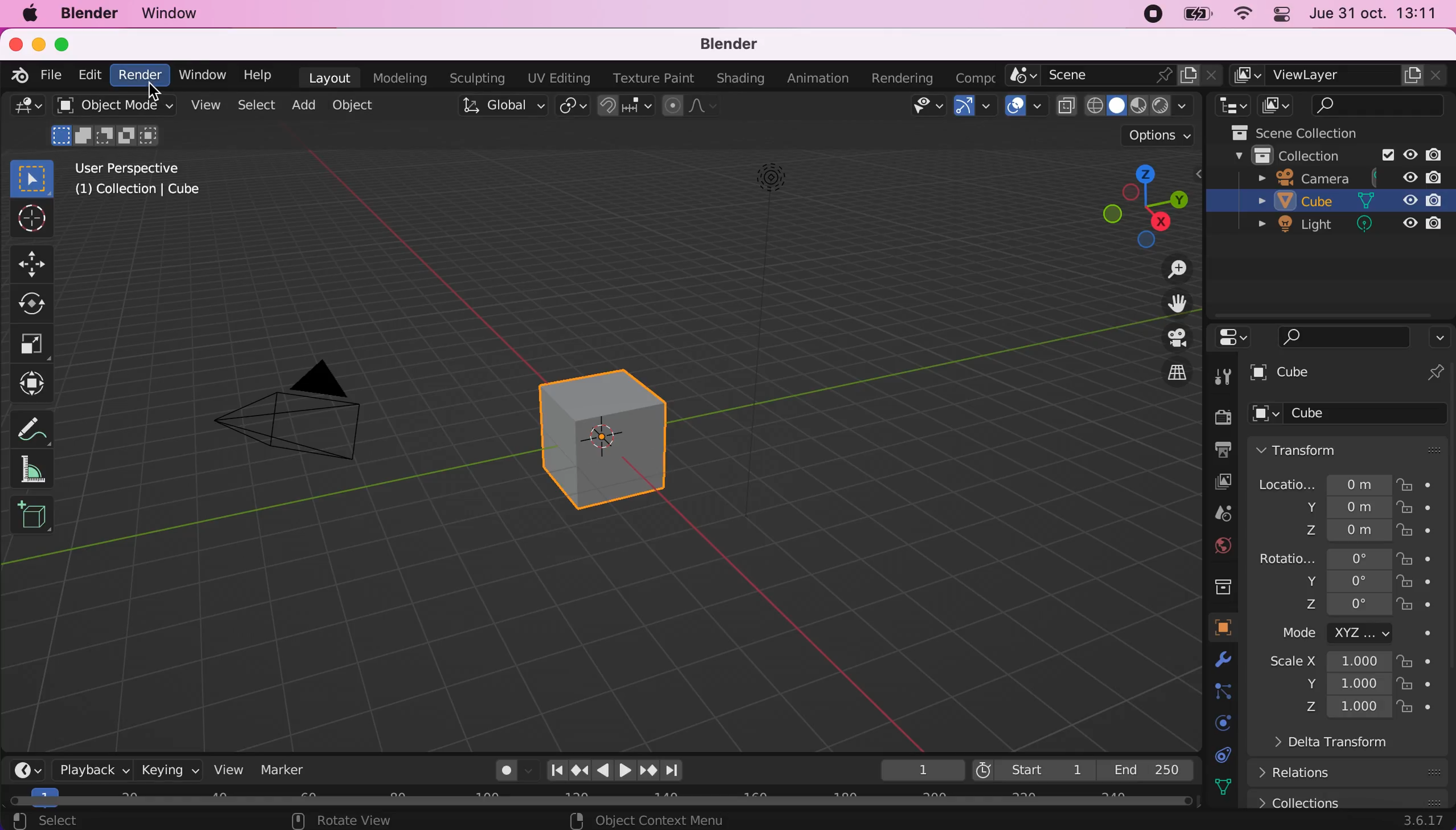 The image size is (1456, 830). I want to click on Cursor, so click(156, 91).